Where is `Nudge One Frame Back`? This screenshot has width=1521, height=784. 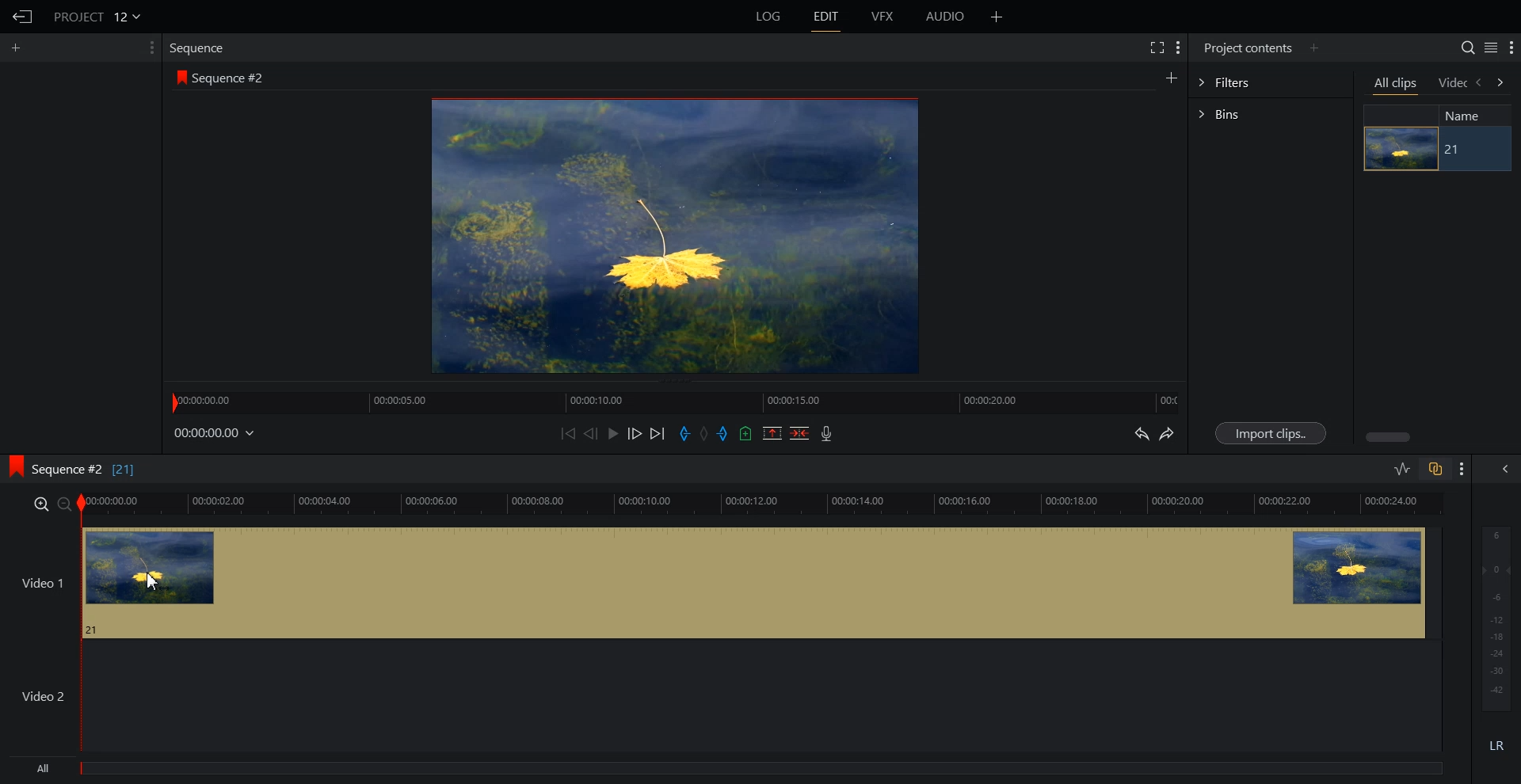 Nudge One Frame Back is located at coordinates (592, 433).